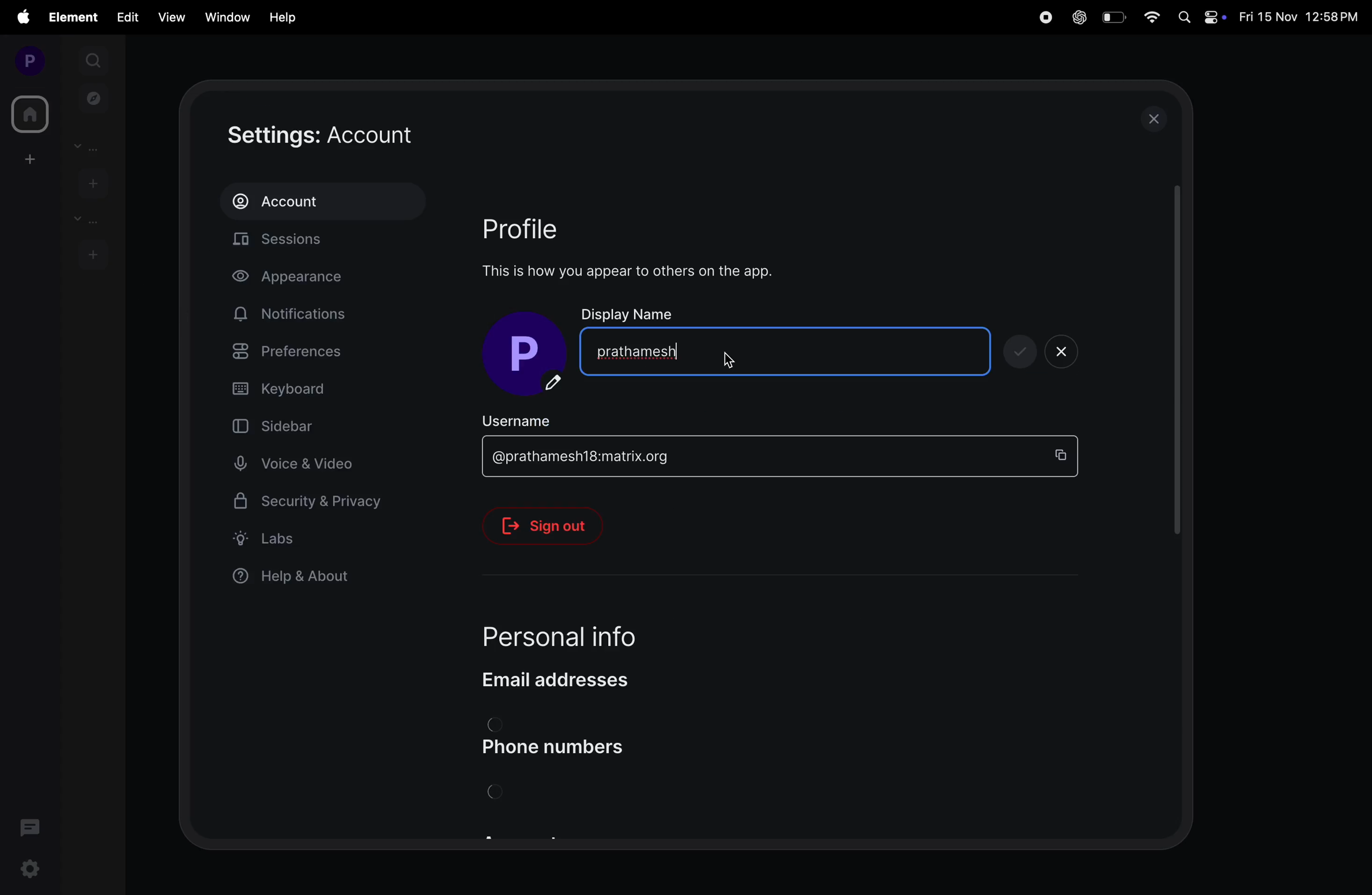 The height and width of the screenshot is (895, 1372). Describe the element at coordinates (316, 389) in the screenshot. I see `keyboard` at that location.